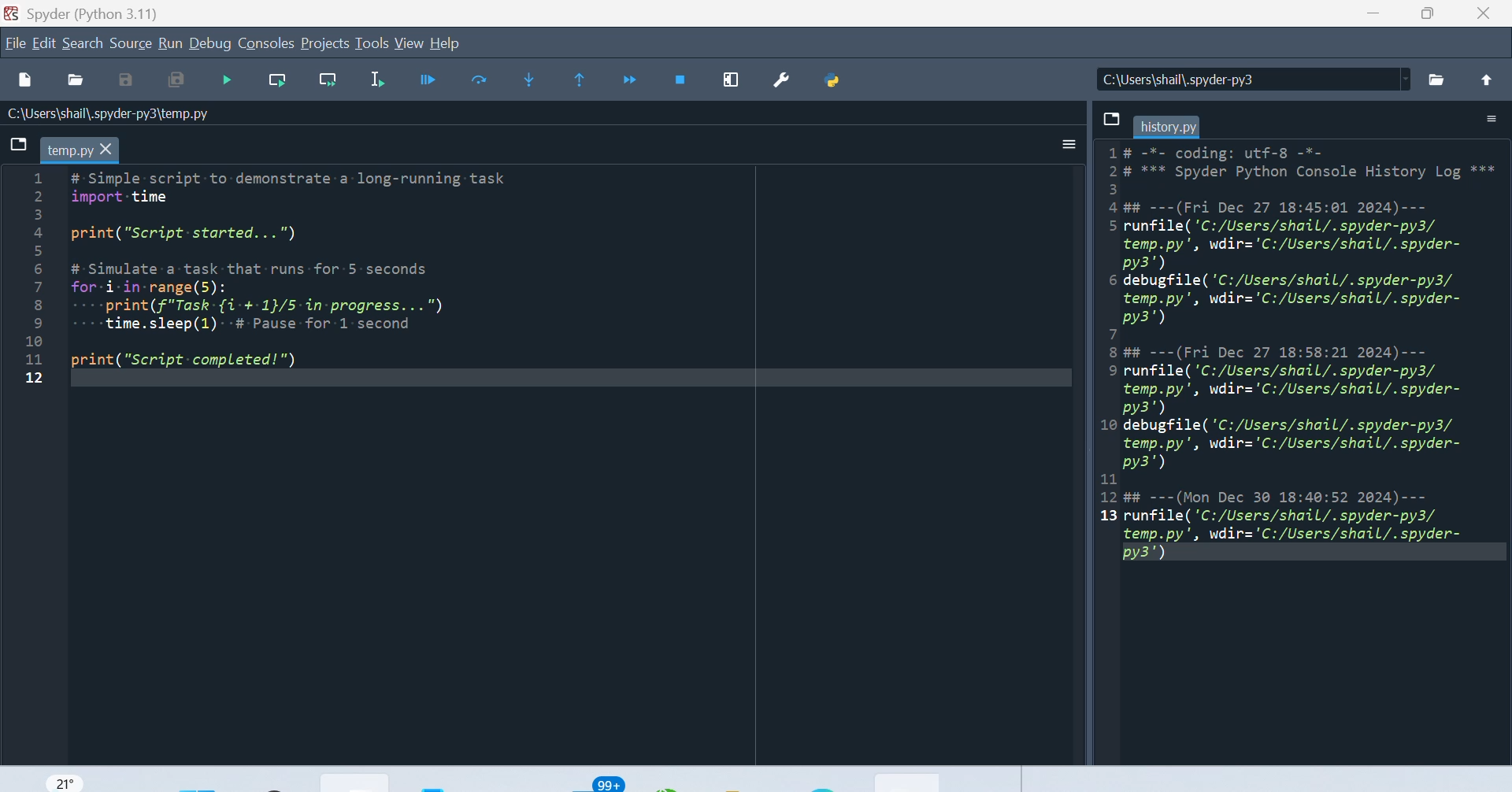  I want to click on Run current line, so click(277, 82).